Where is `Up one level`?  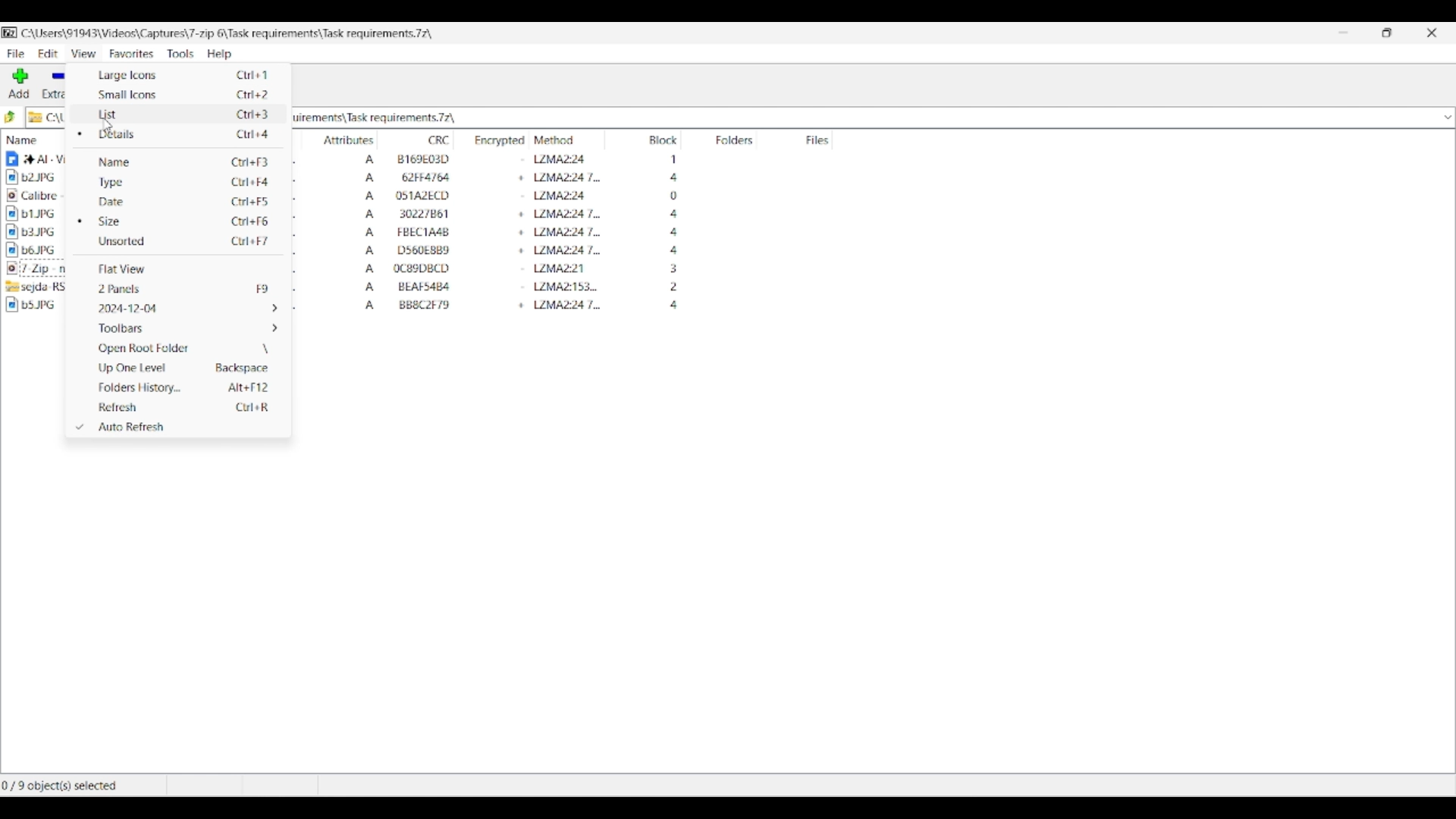 Up one level is located at coordinates (181, 368).